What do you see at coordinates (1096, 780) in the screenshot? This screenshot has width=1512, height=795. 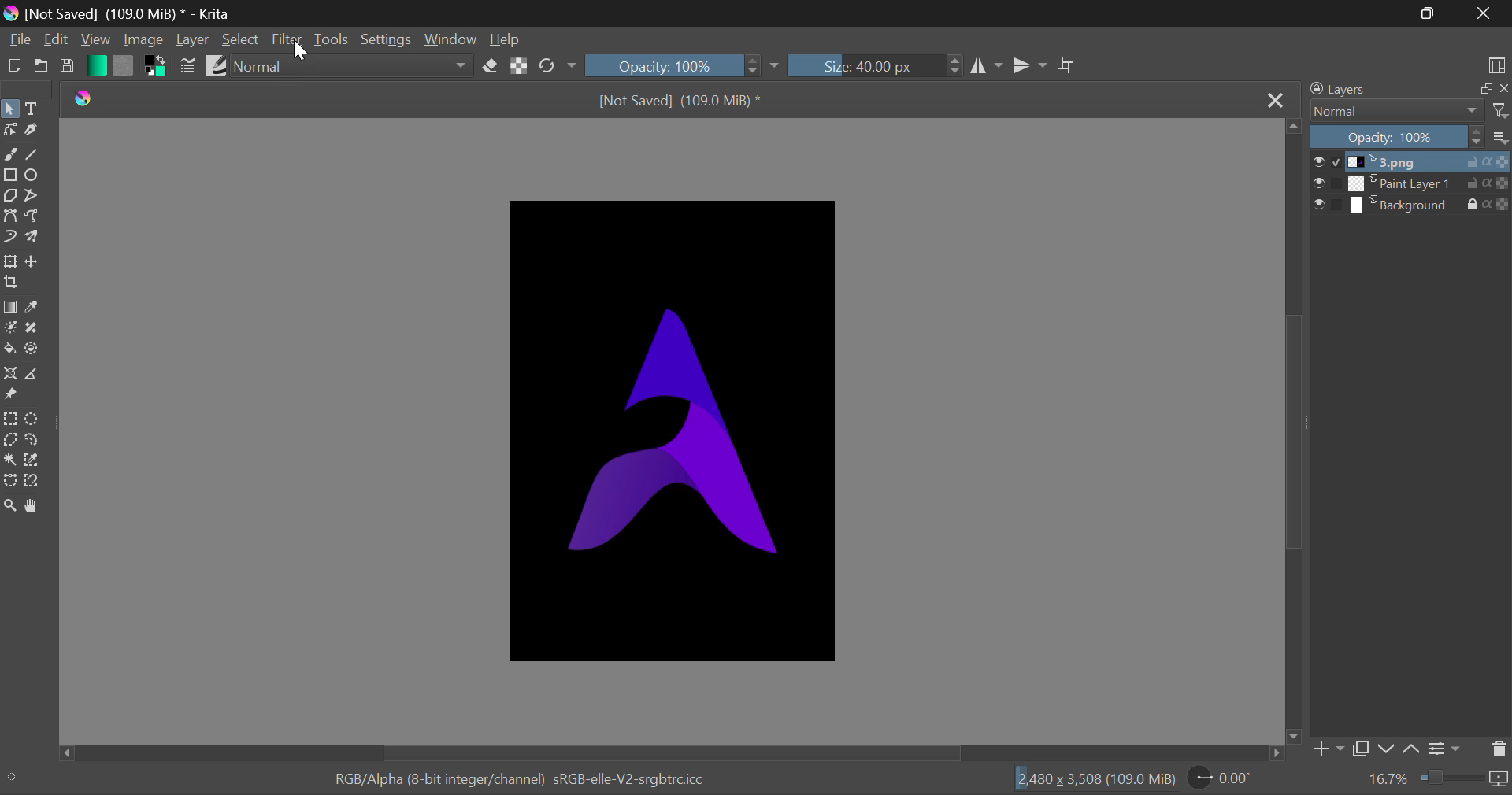 I see `2,480 x 3,508 (109.0 MiB)` at bounding box center [1096, 780].